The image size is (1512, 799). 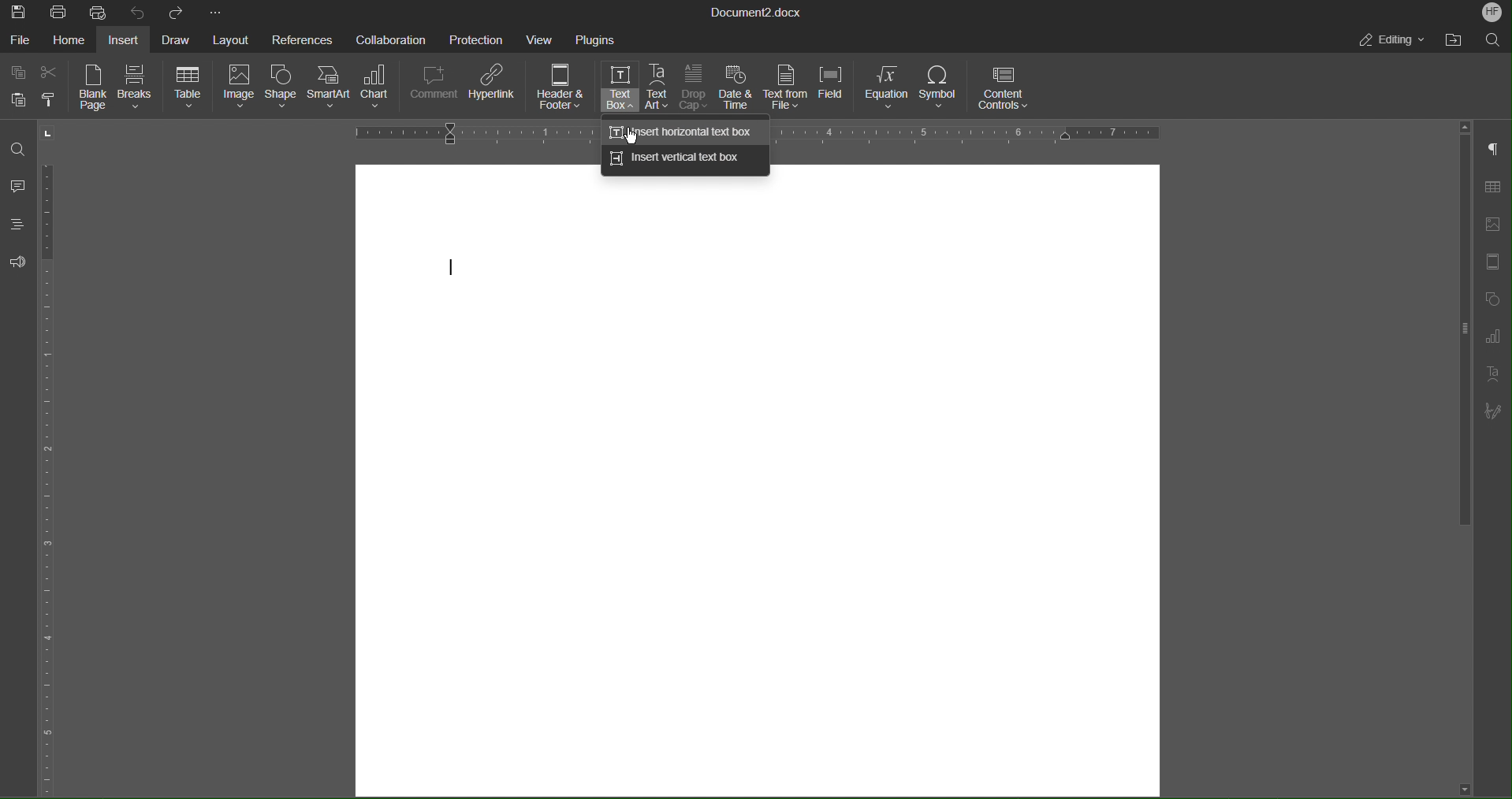 I want to click on Field, so click(x=833, y=88).